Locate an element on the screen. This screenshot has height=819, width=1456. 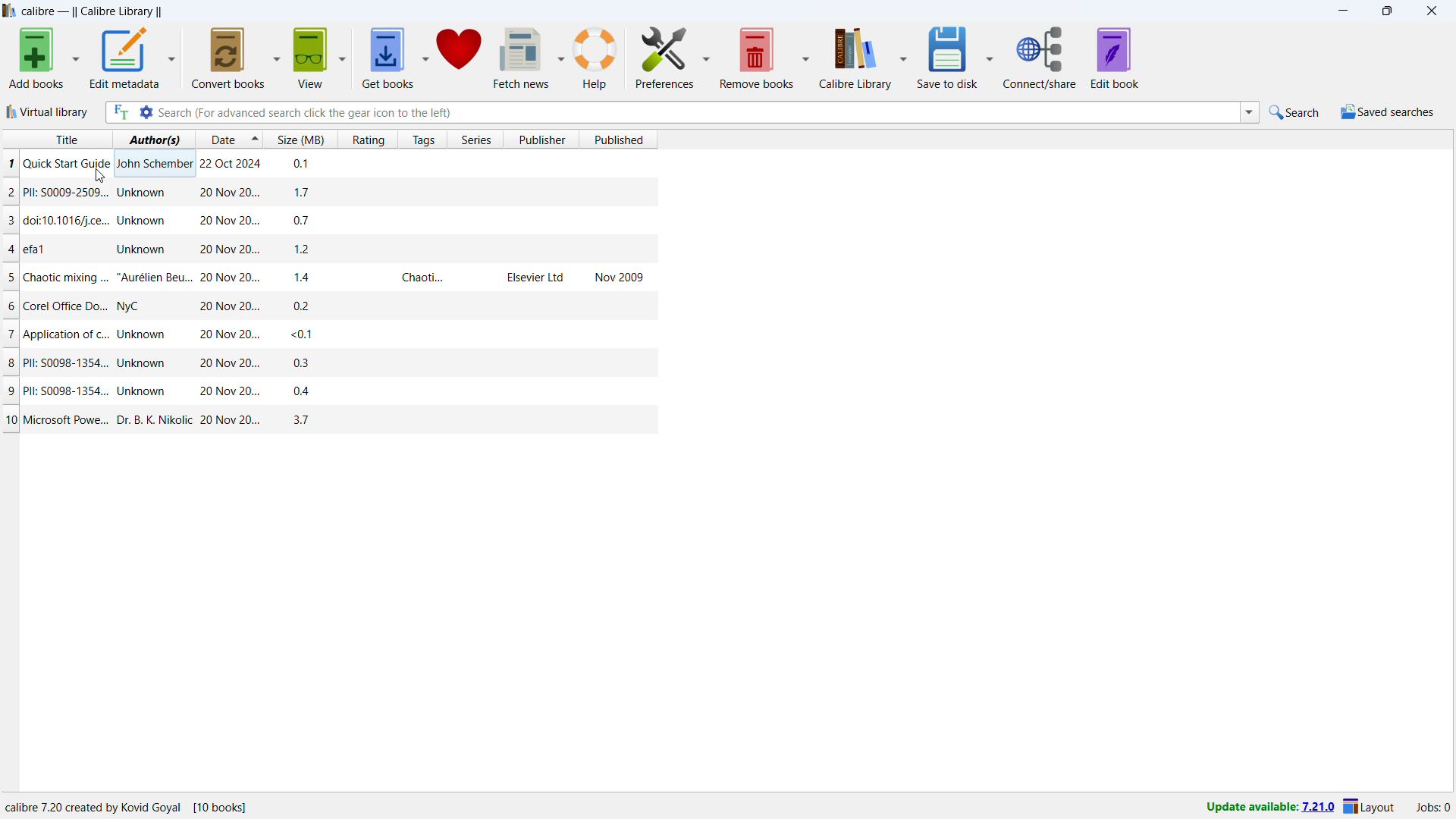
convert books is located at coordinates (228, 57).